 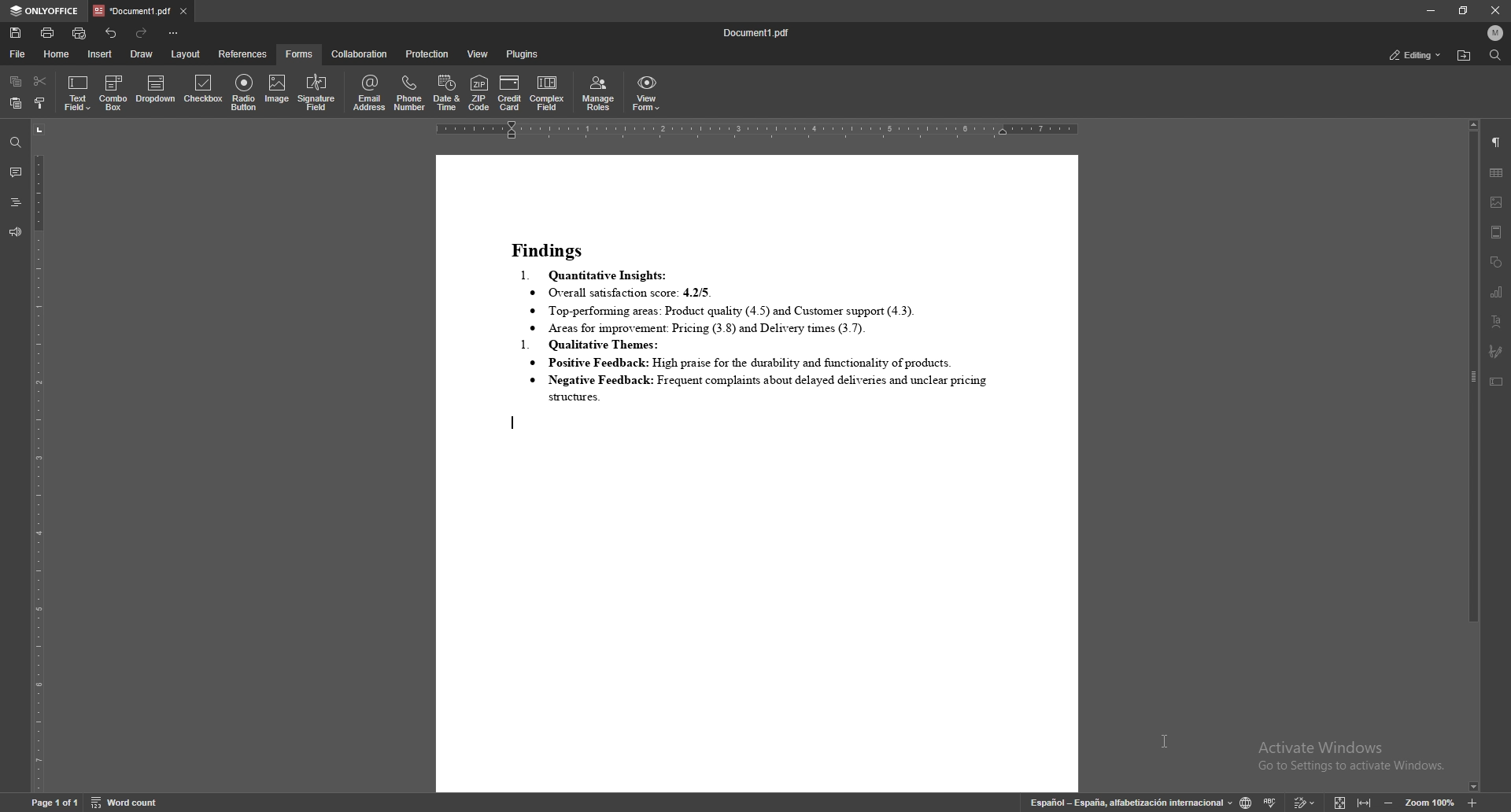 I want to click on page information, so click(x=53, y=804).